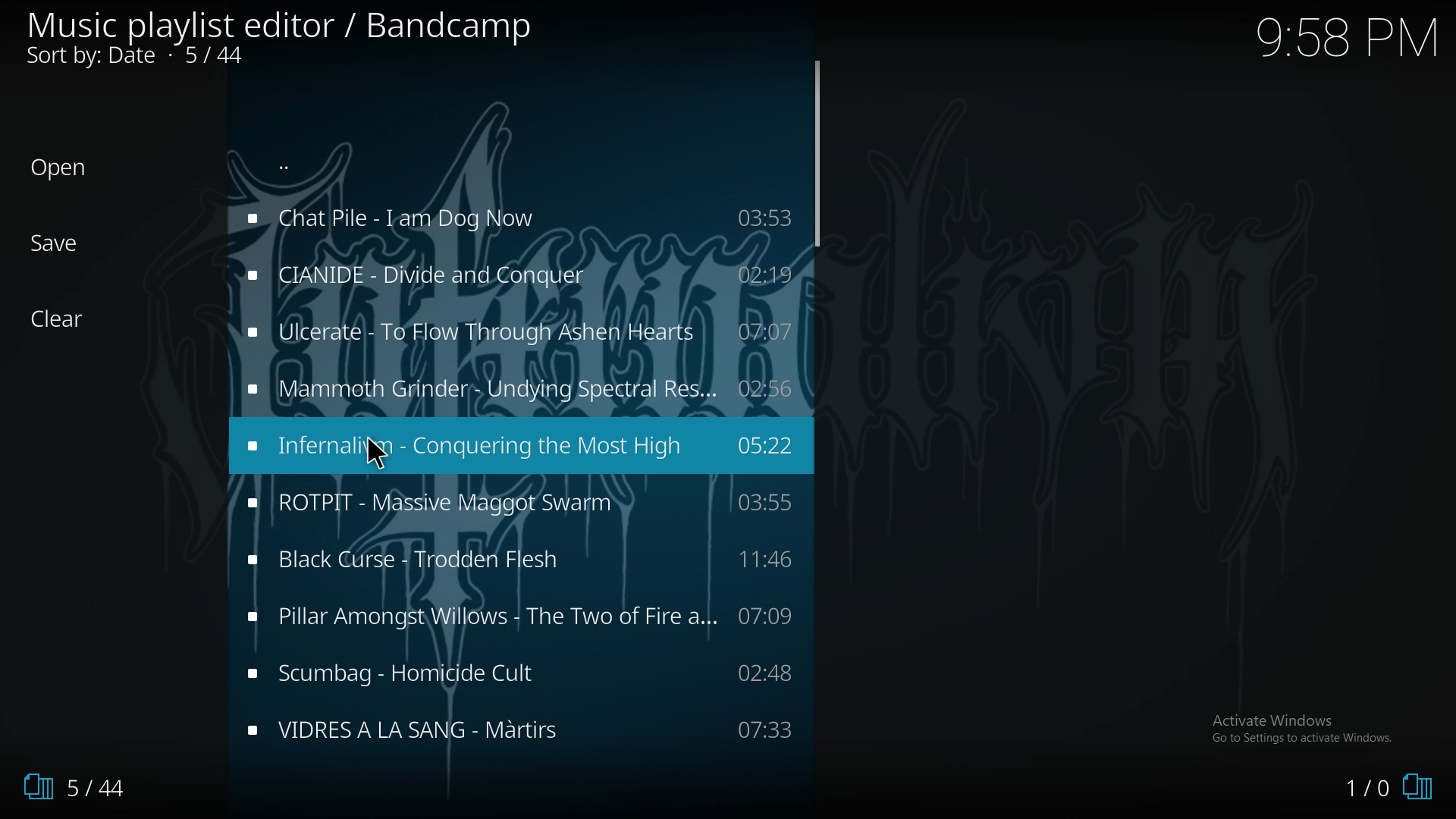 This screenshot has width=1456, height=819. Describe the element at coordinates (521, 616) in the screenshot. I see `music` at that location.